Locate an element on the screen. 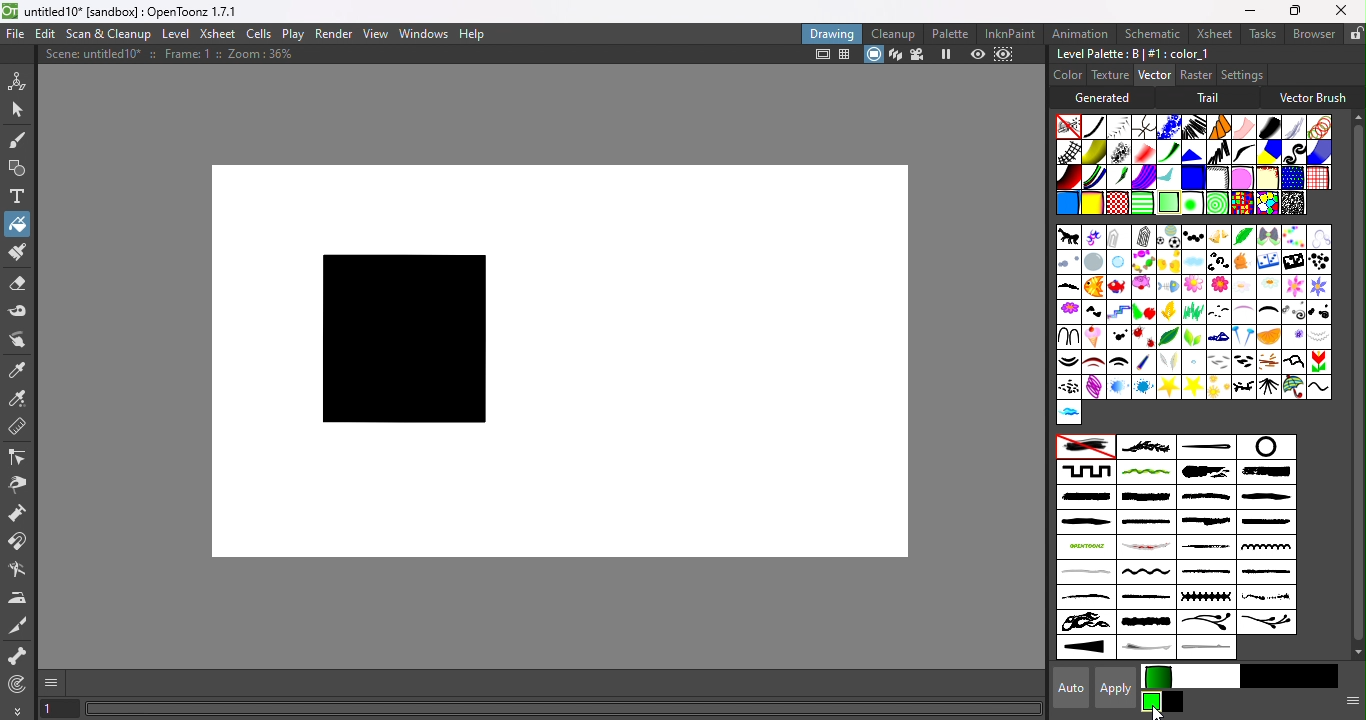 The height and width of the screenshot is (720, 1366). thor2 is located at coordinates (1269, 386).